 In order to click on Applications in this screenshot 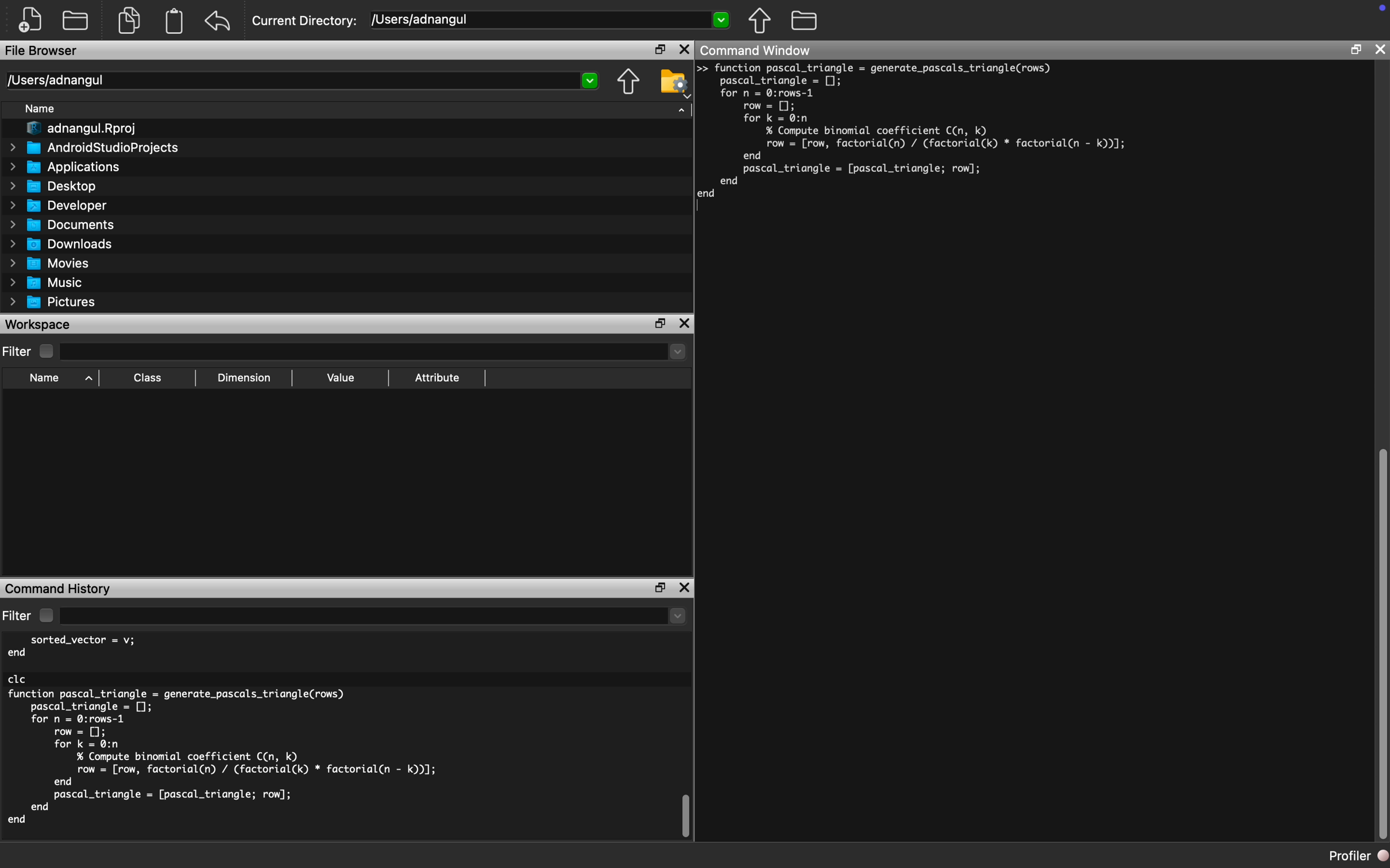, I will do `click(65, 167)`.